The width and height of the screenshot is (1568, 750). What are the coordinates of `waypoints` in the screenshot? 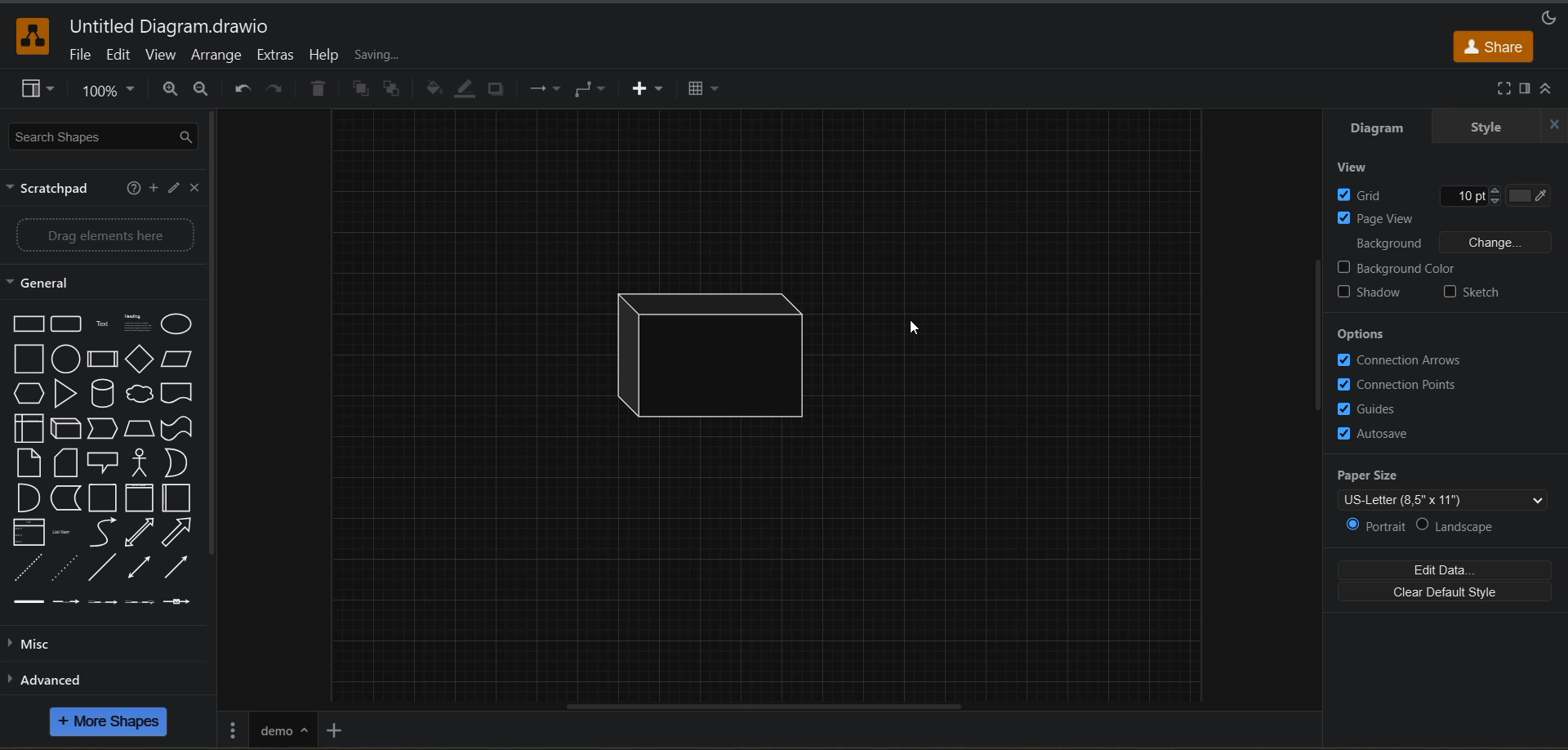 It's located at (593, 90).